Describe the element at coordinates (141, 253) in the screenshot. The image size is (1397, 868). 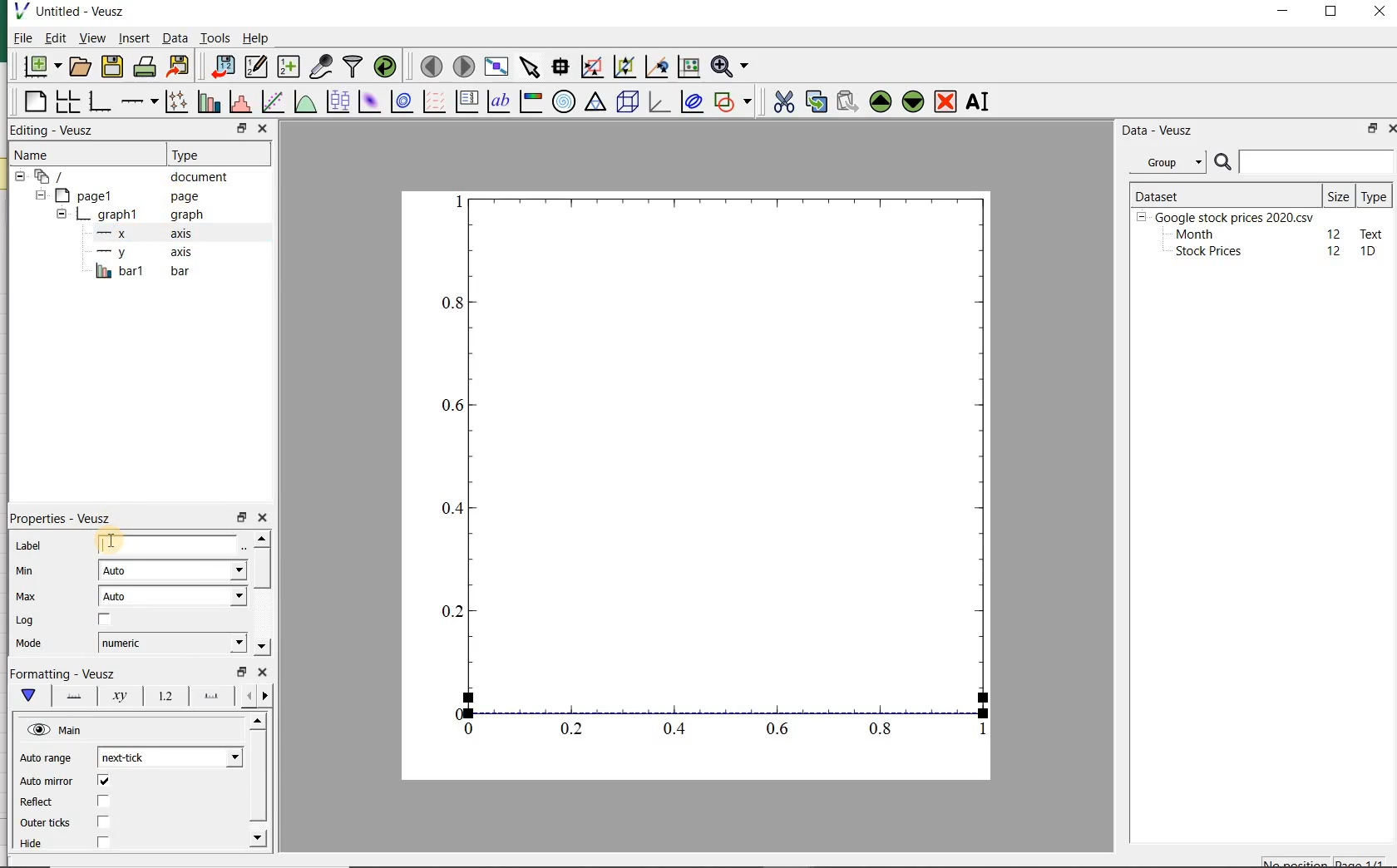
I see `y-axis` at that location.